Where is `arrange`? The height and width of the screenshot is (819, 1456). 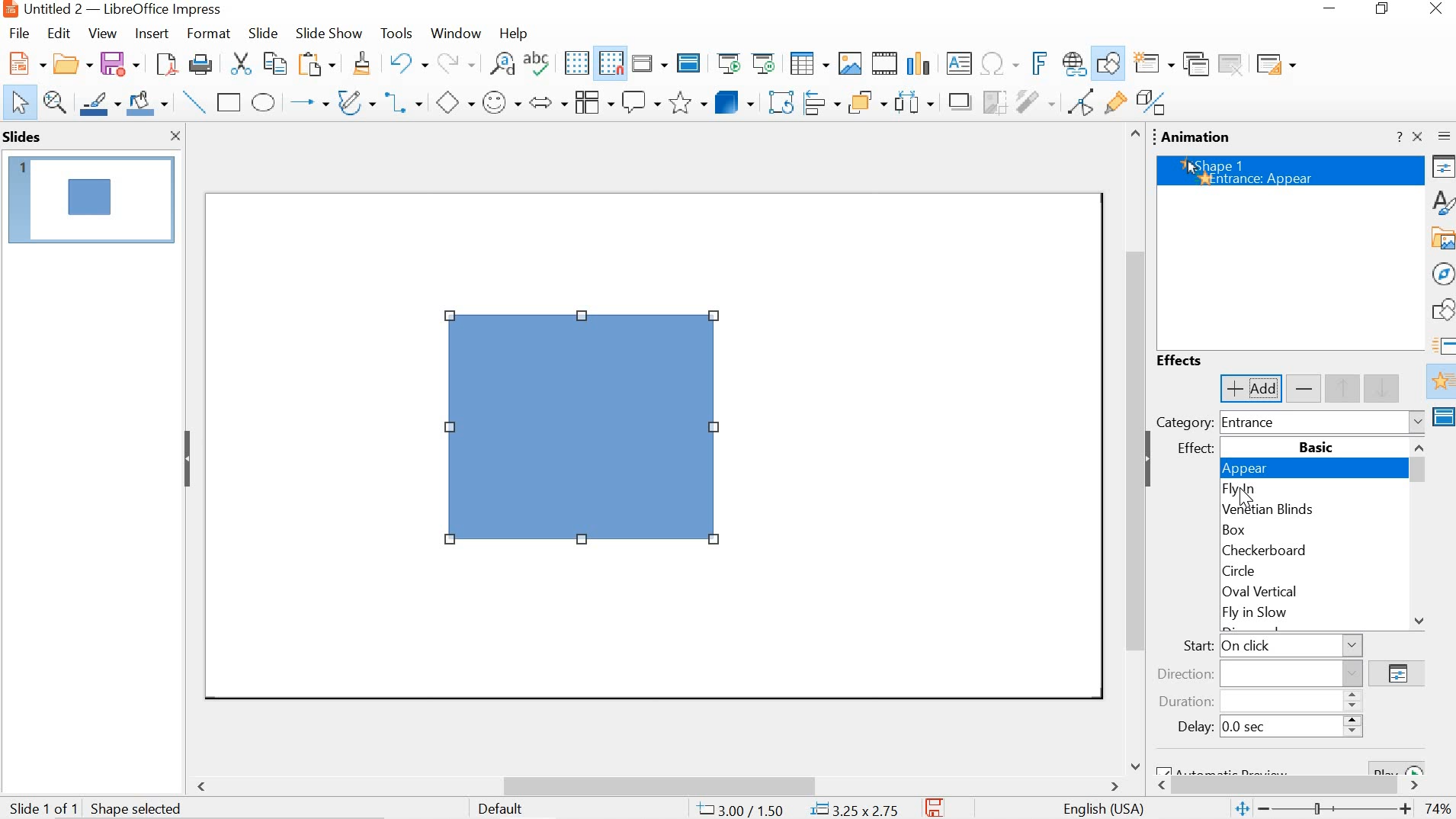
arrange is located at coordinates (870, 100).